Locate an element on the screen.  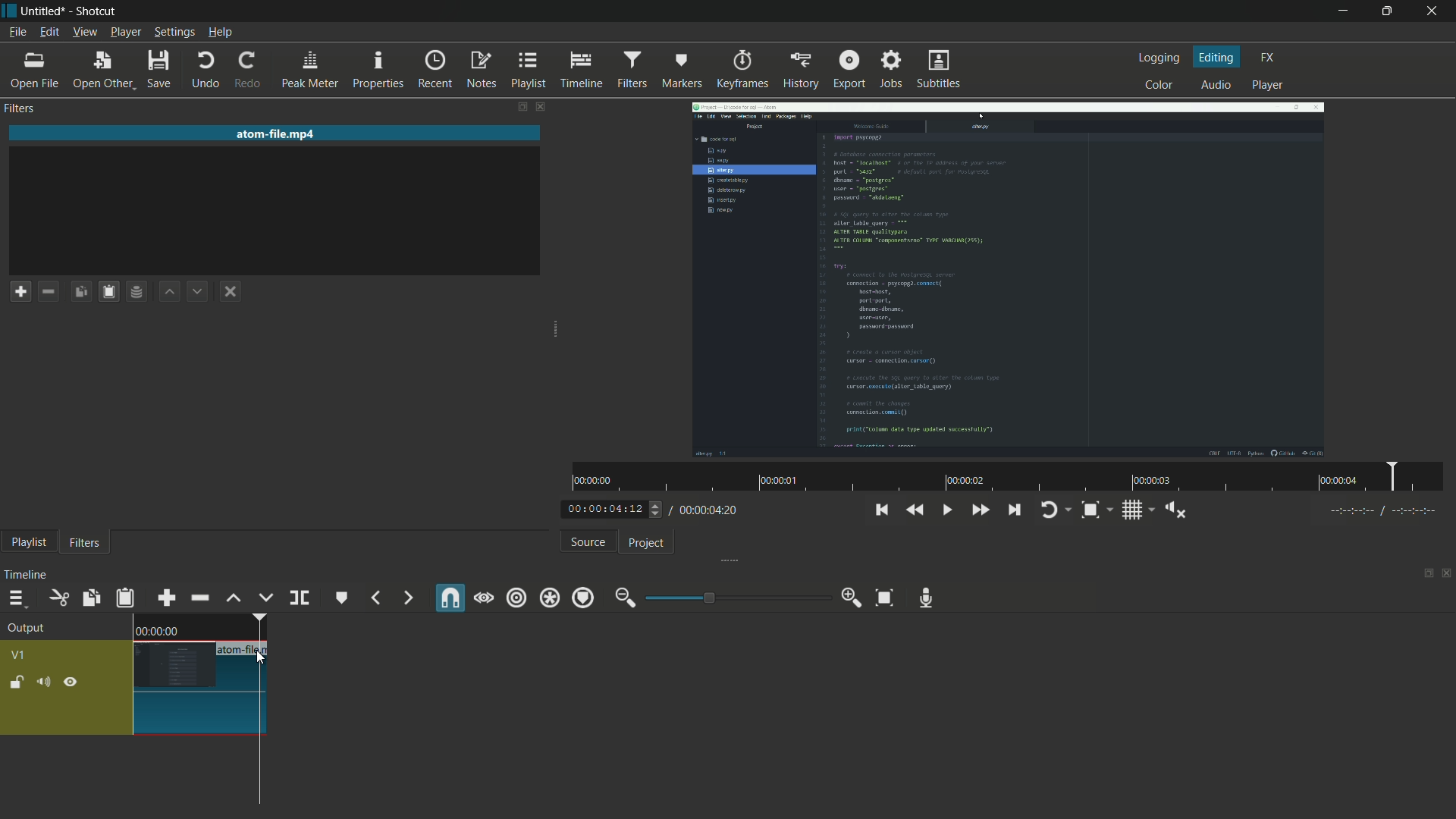
file menu is located at coordinates (18, 33).